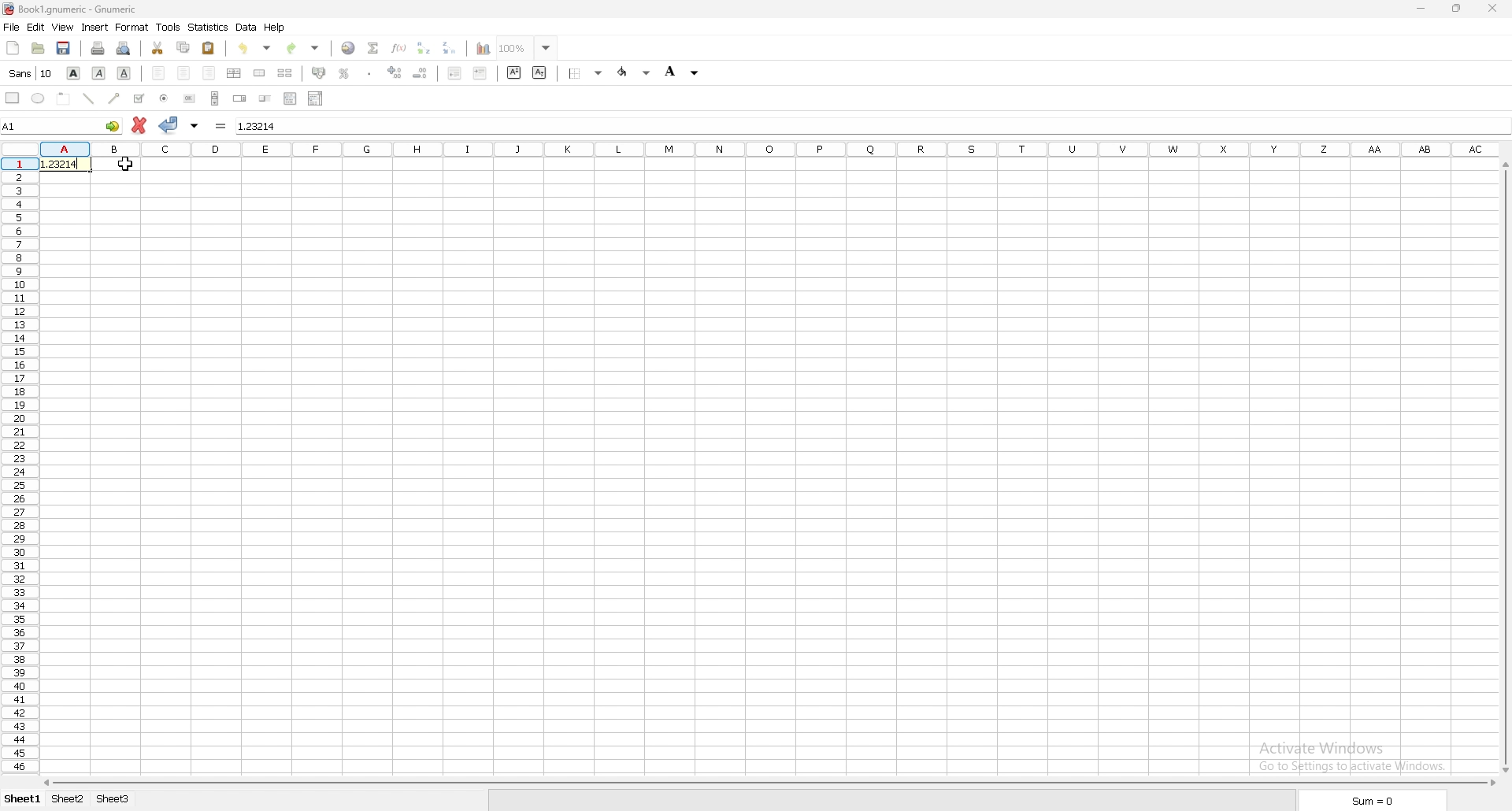 The width and height of the screenshot is (1512, 811). What do you see at coordinates (769, 783) in the screenshot?
I see `scroll bar` at bounding box center [769, 783].